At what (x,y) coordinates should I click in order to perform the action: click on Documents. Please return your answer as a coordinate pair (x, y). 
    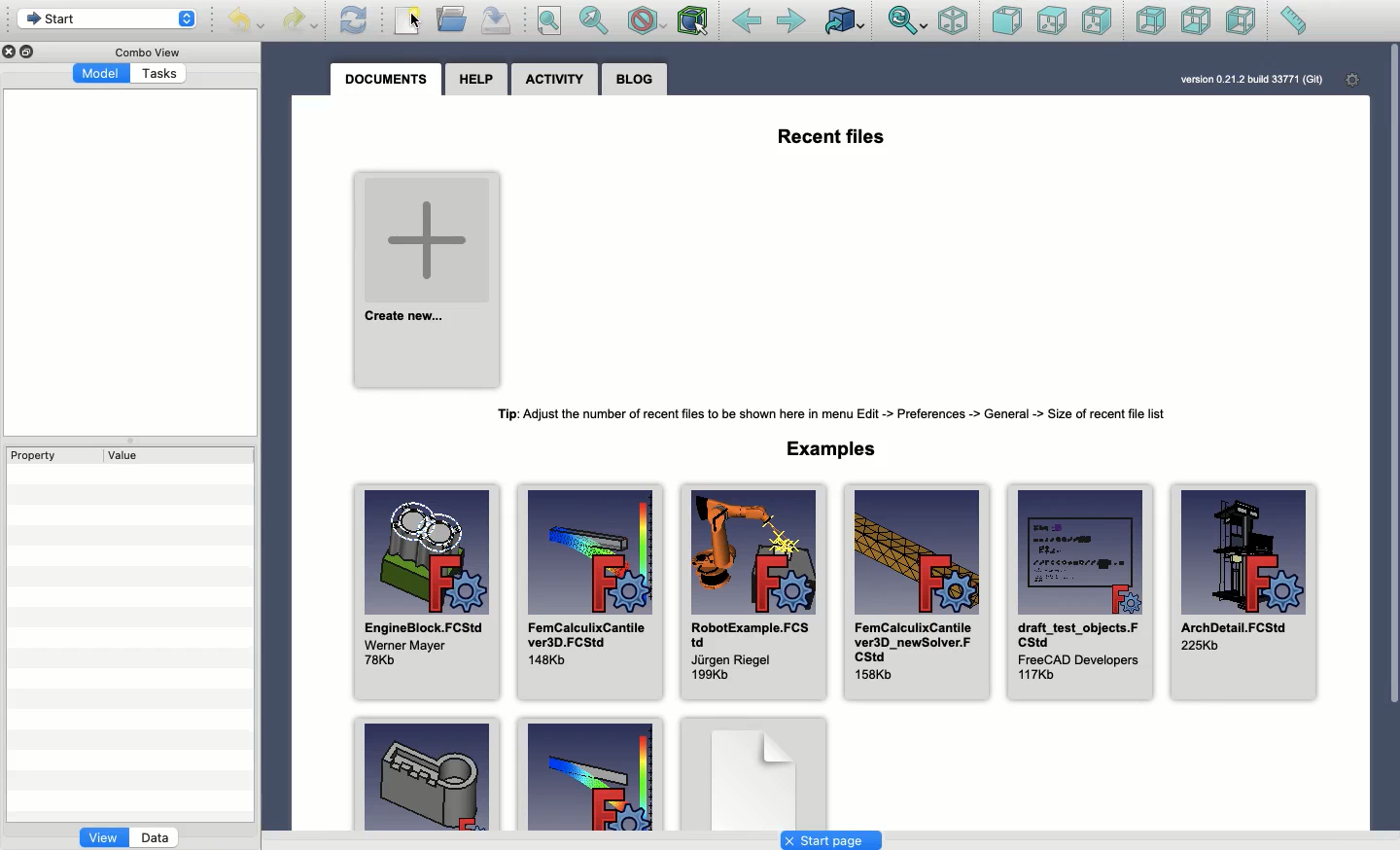
    Looking at the image, I should click on (384, 78).